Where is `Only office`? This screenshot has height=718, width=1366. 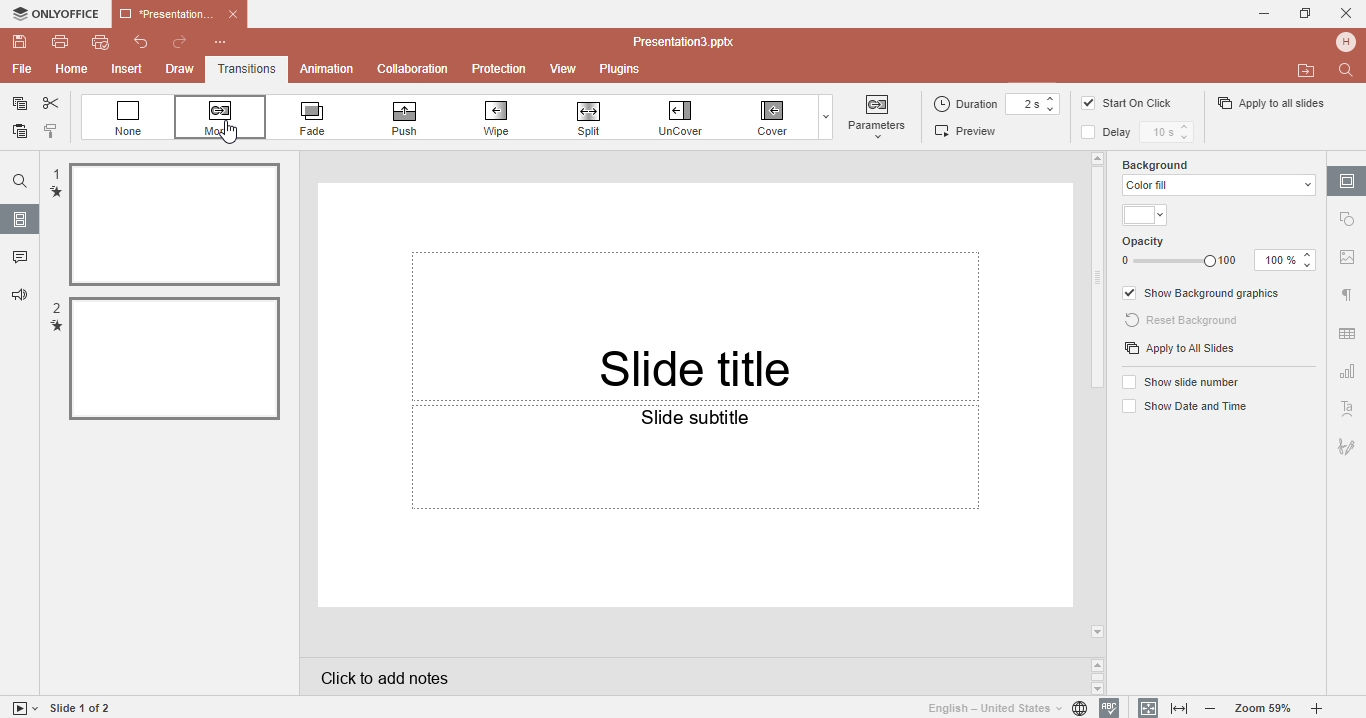
Only office is located at coordinates (54, 14).